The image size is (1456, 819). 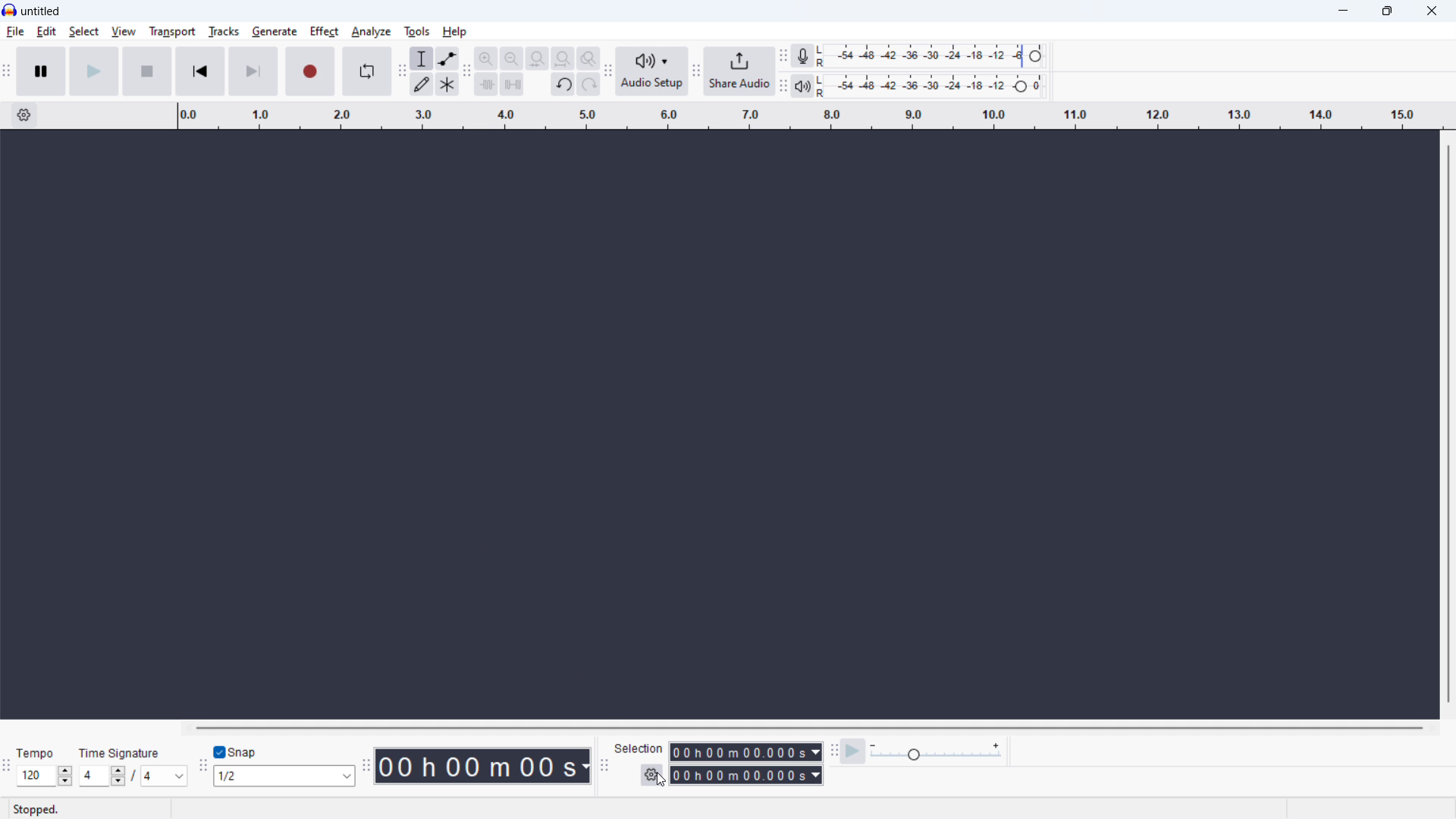 What do you see at coordinates (467, 72) in the screenshot?
I see `edit toolbar` at bounding box center [467, 72].